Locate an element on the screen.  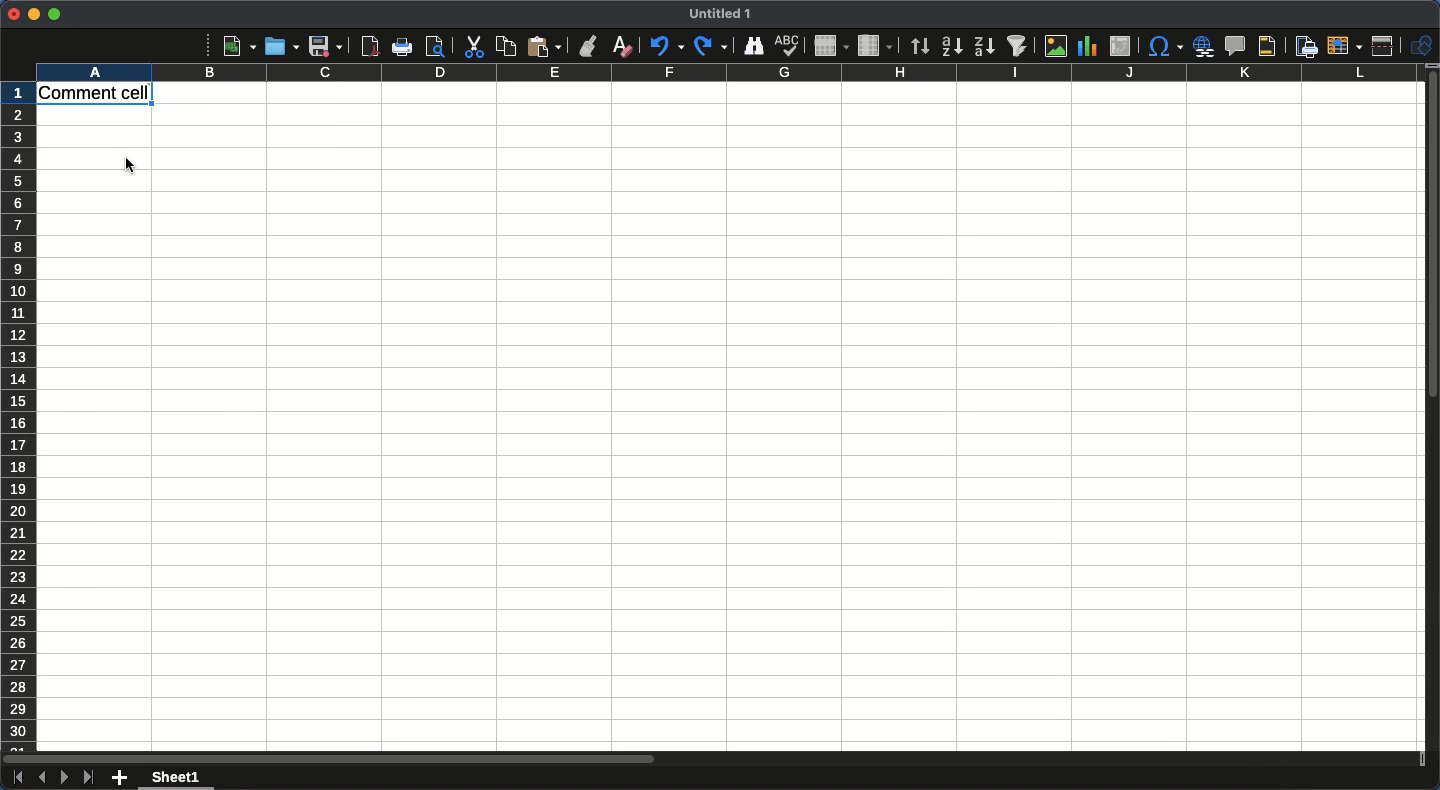
Headers and footers is located at coordinates (1269, 45).